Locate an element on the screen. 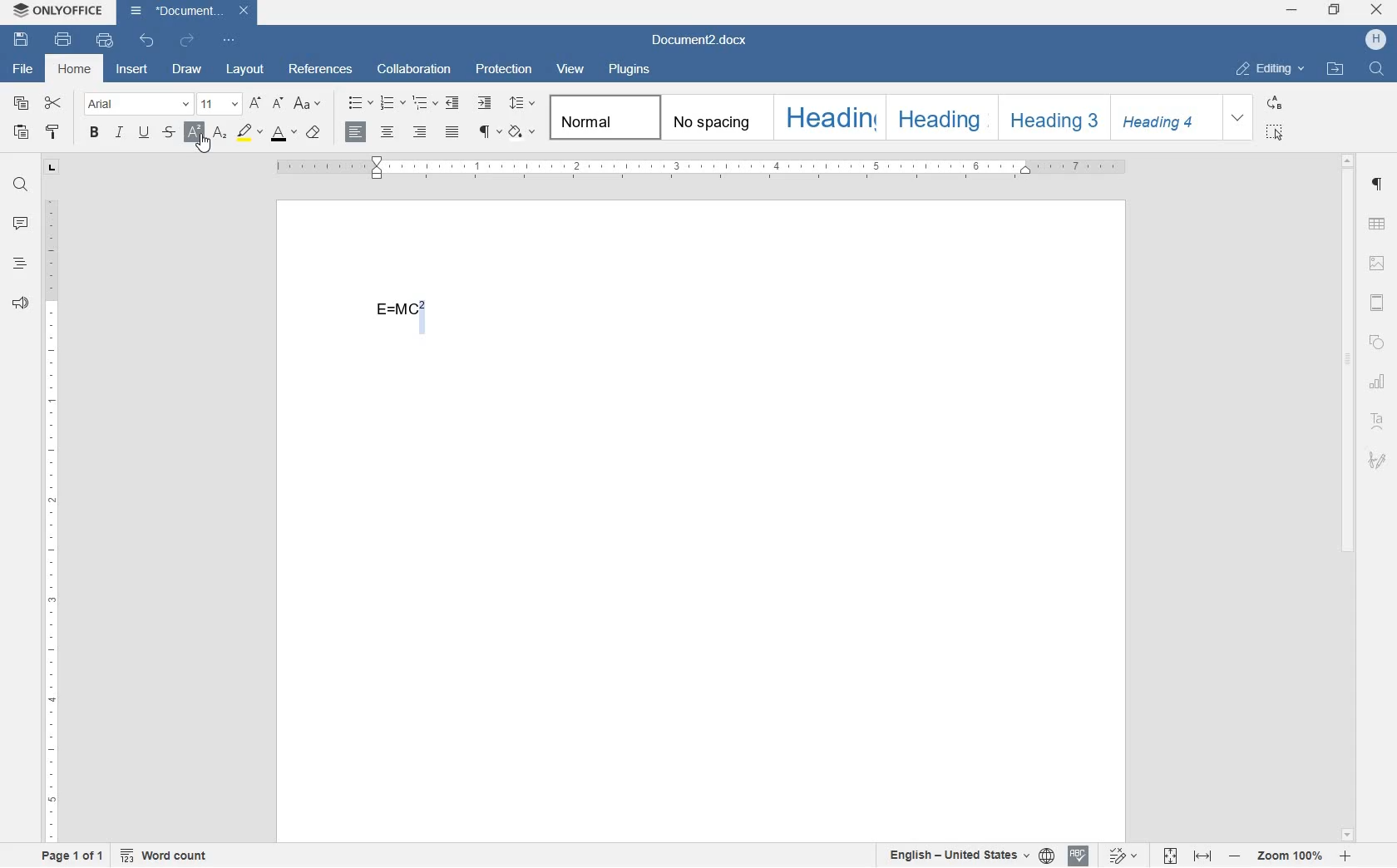  copy is located at coordinates (22, 105).